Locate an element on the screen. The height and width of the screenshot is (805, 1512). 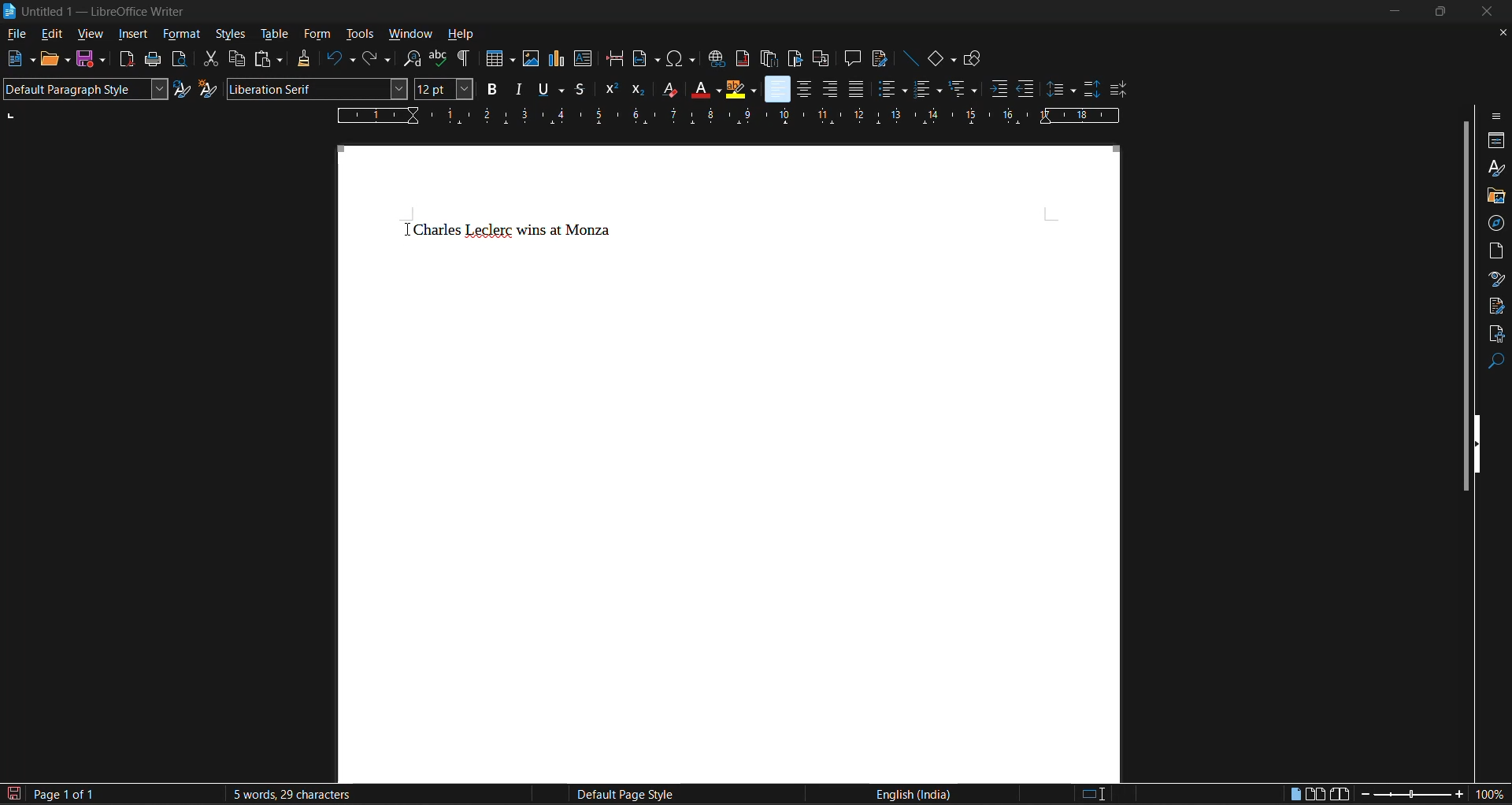
insert bookmark is located at coordinates (793, 58).